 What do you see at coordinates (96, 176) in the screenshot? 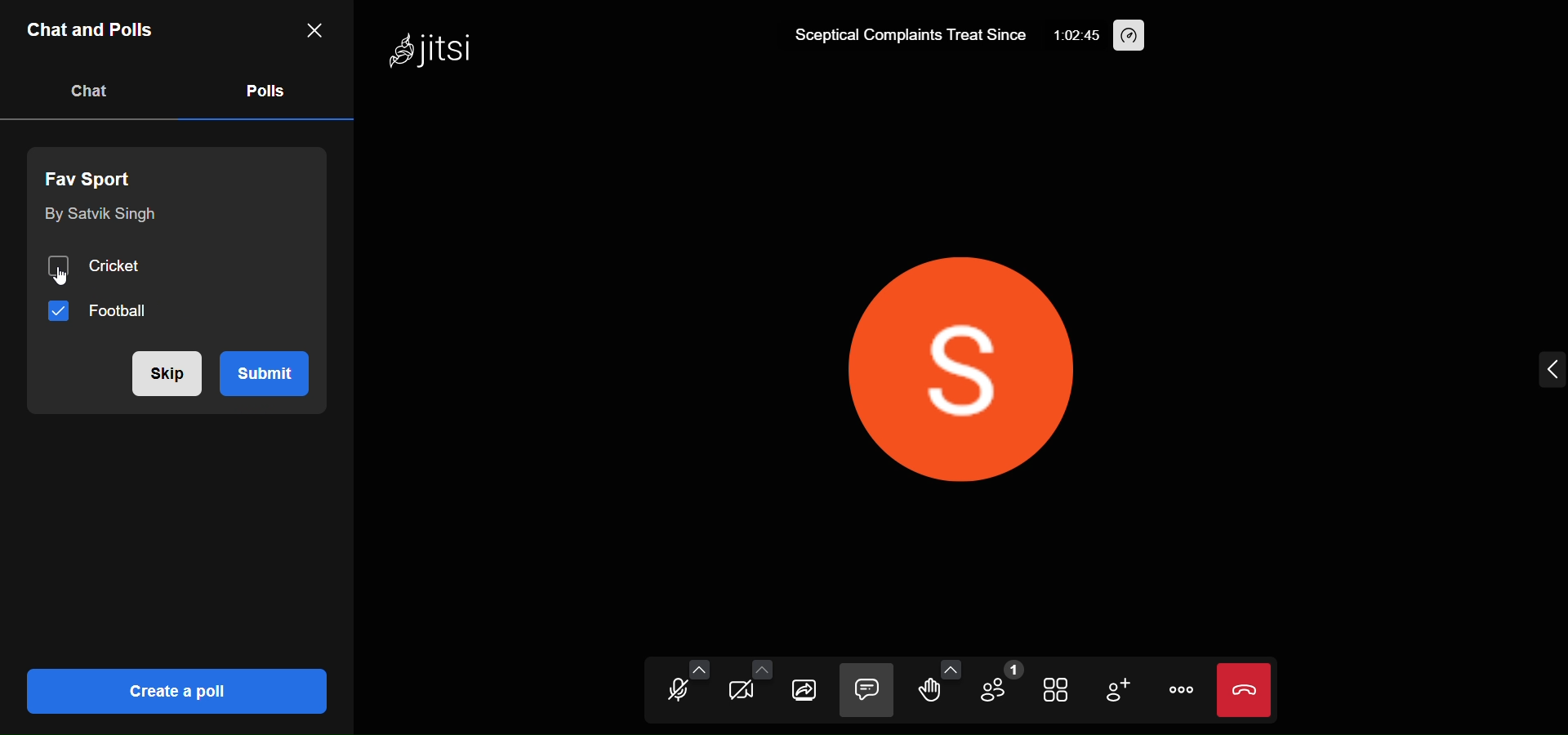
I see `fav sport` at bounding box center [96, 176].